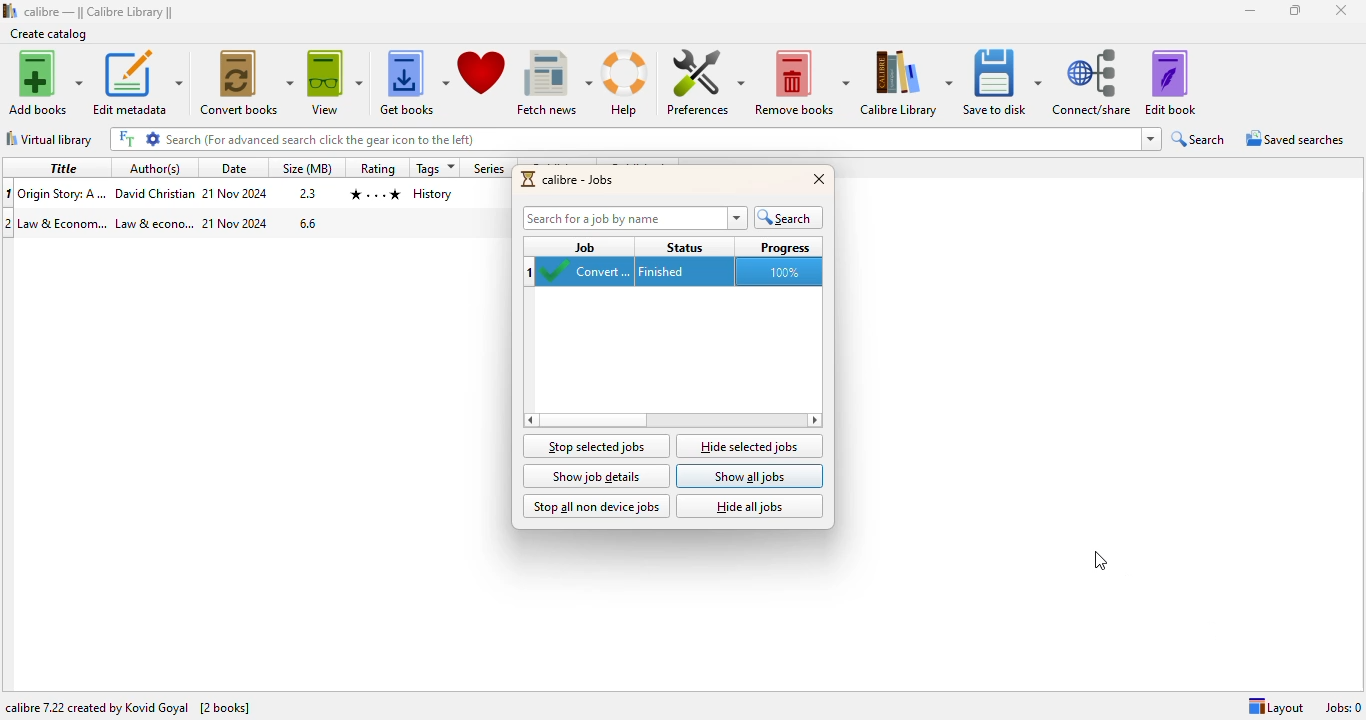 Image resolution: width=1366 pixels, height=720 pixels. Describe the element at coordinates (579, 180) in the screenshot. I see `calibre - jobs` at that location.